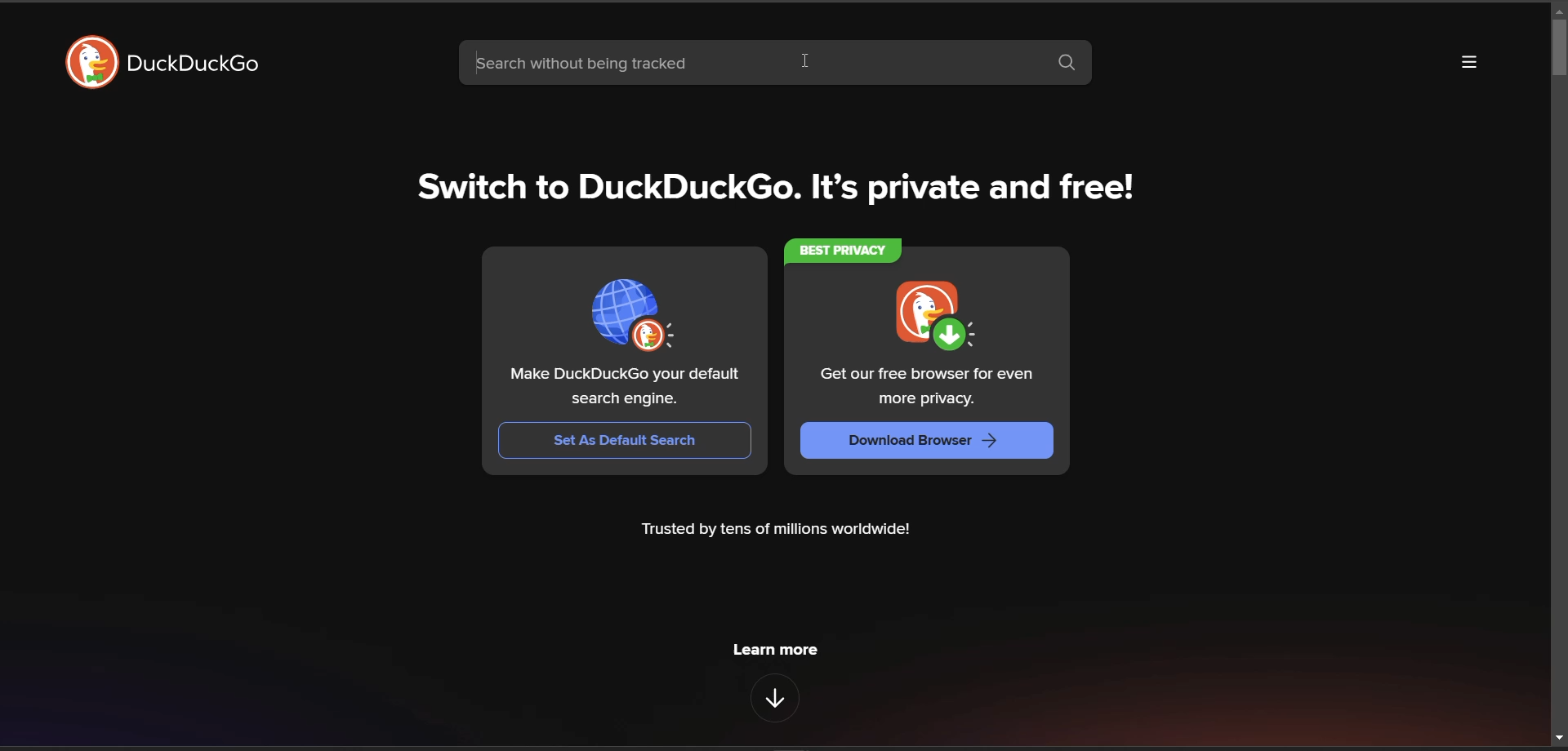 The image size is (1568, 751). I want to click on download browser, so click(928, 441).